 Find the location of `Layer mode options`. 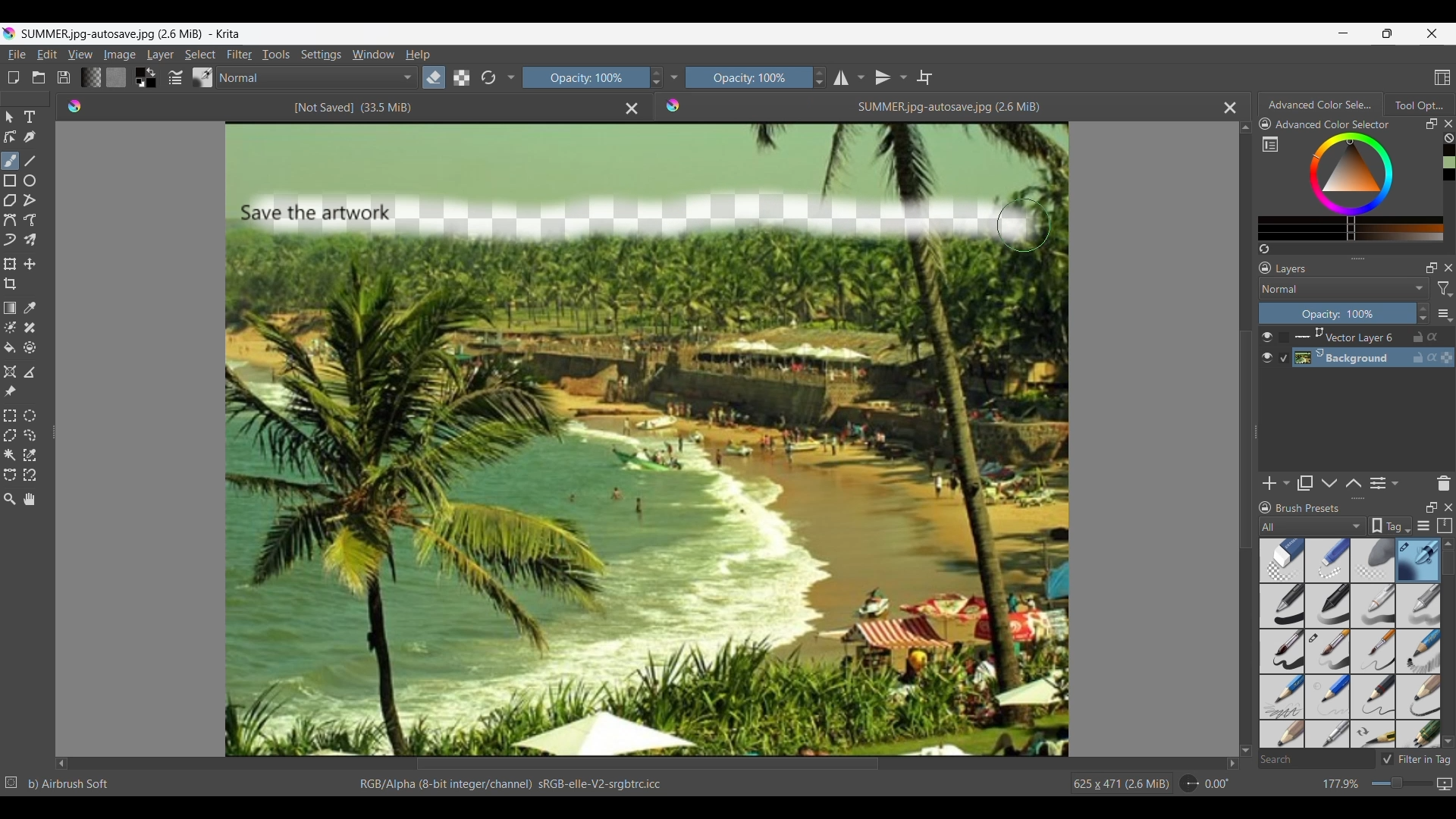

Layer mode options is located at coordinates (1344, 288).